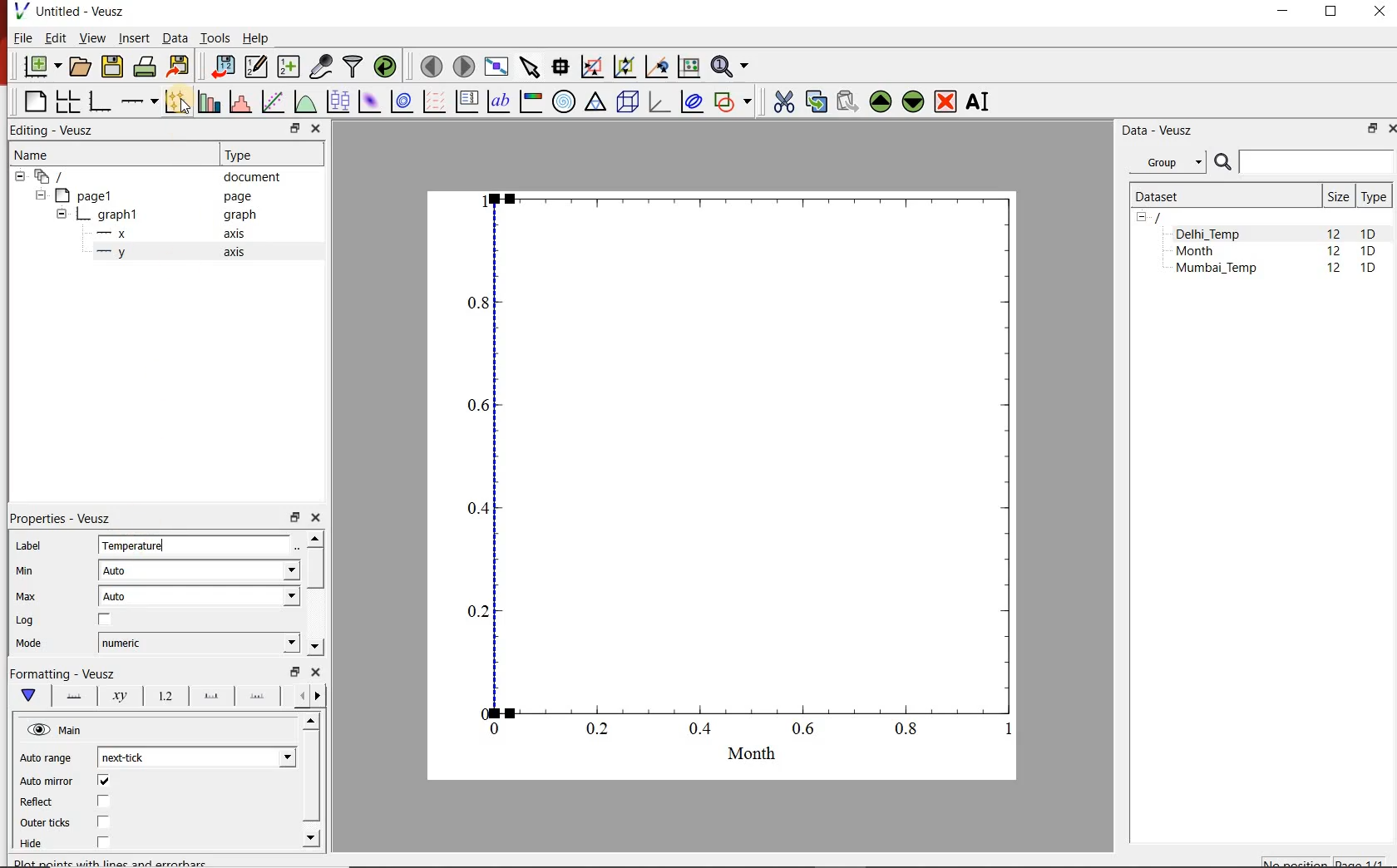 The width and height of the screenshot is (1397, 868). I want to click on view plot full screen, so click(496, 67).